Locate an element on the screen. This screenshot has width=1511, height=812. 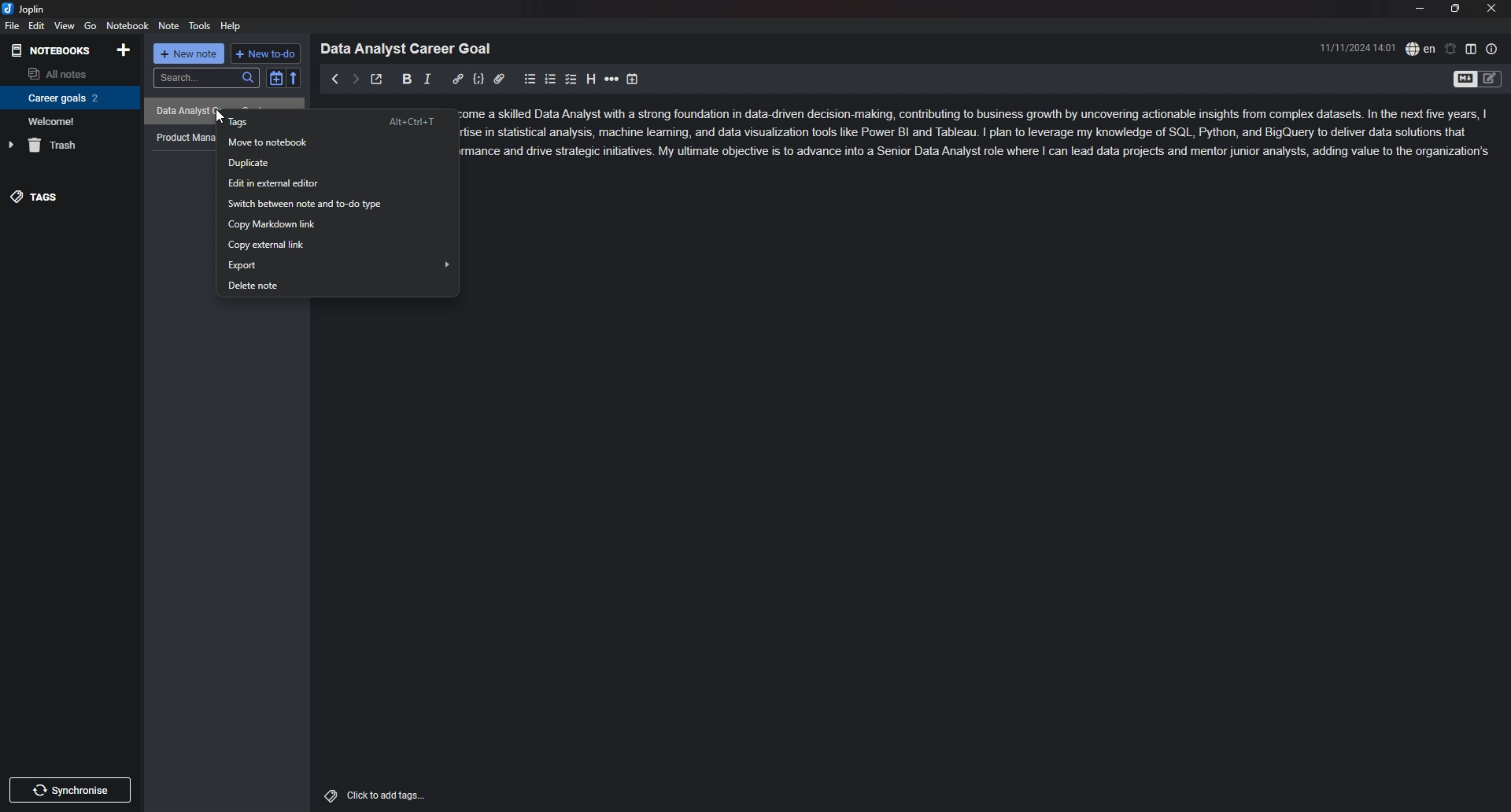
notebook is located at coordinates (127, 25).